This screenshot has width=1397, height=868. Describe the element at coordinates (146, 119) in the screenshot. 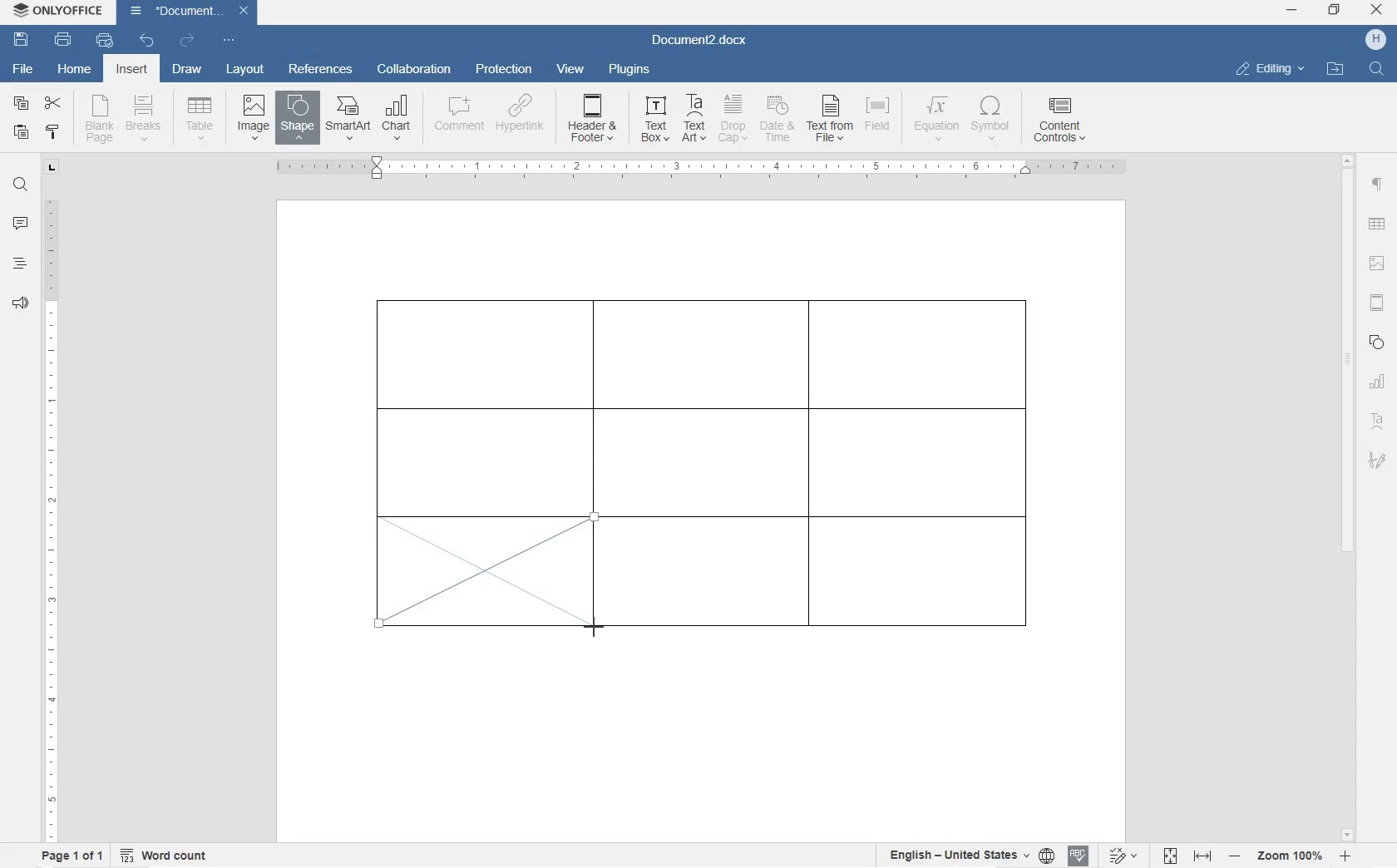

I see `insert page breaks` at that location.